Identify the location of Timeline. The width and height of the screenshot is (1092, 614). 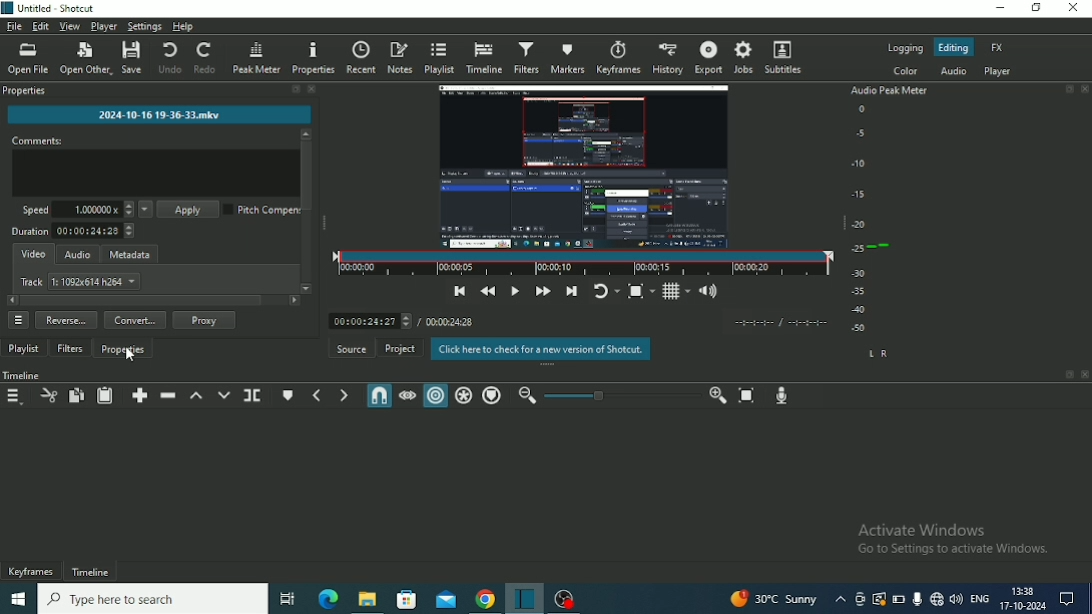
(90, 572).